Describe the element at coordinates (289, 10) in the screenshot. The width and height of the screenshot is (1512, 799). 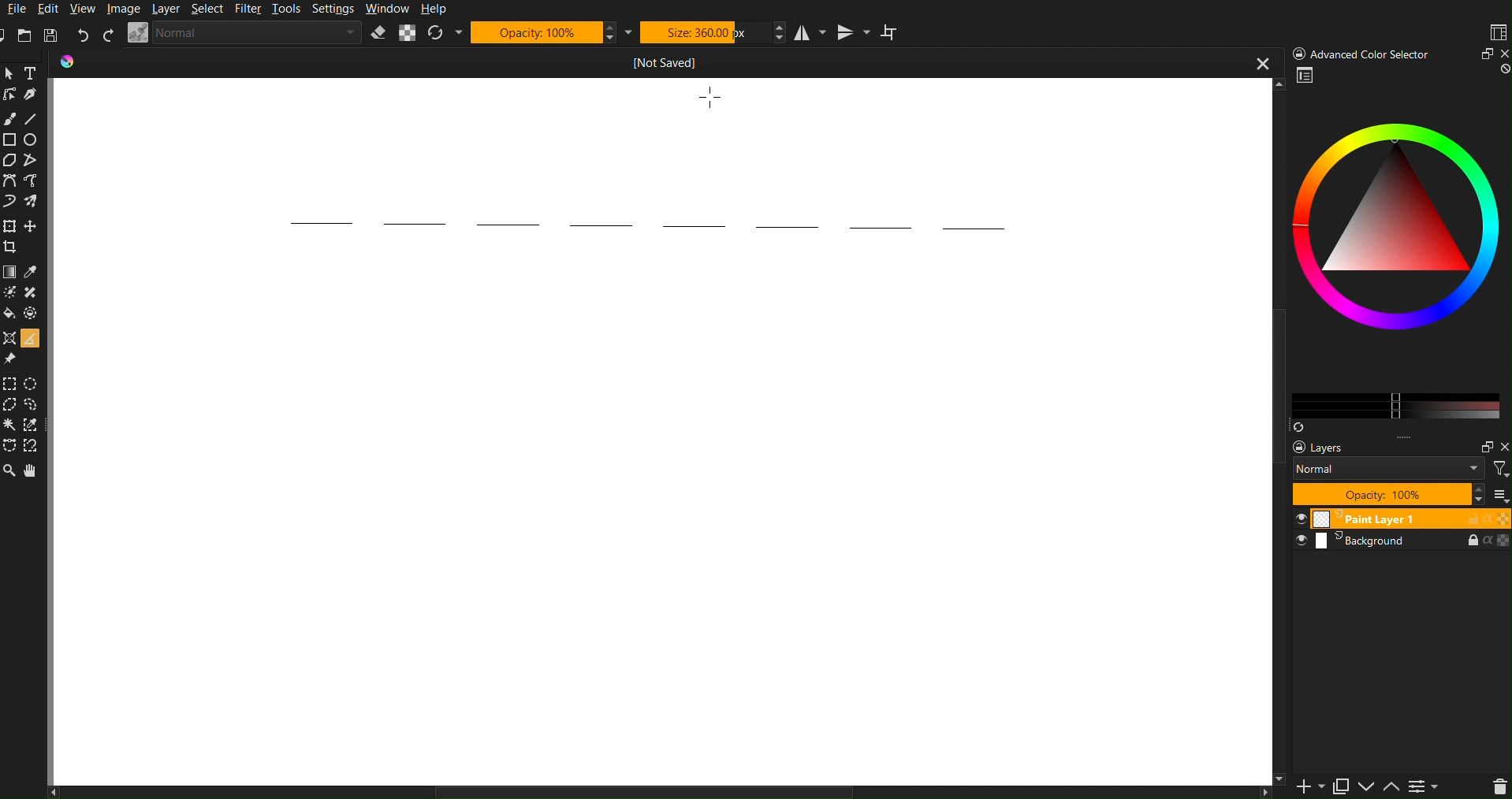
I see `Tools` at that location.